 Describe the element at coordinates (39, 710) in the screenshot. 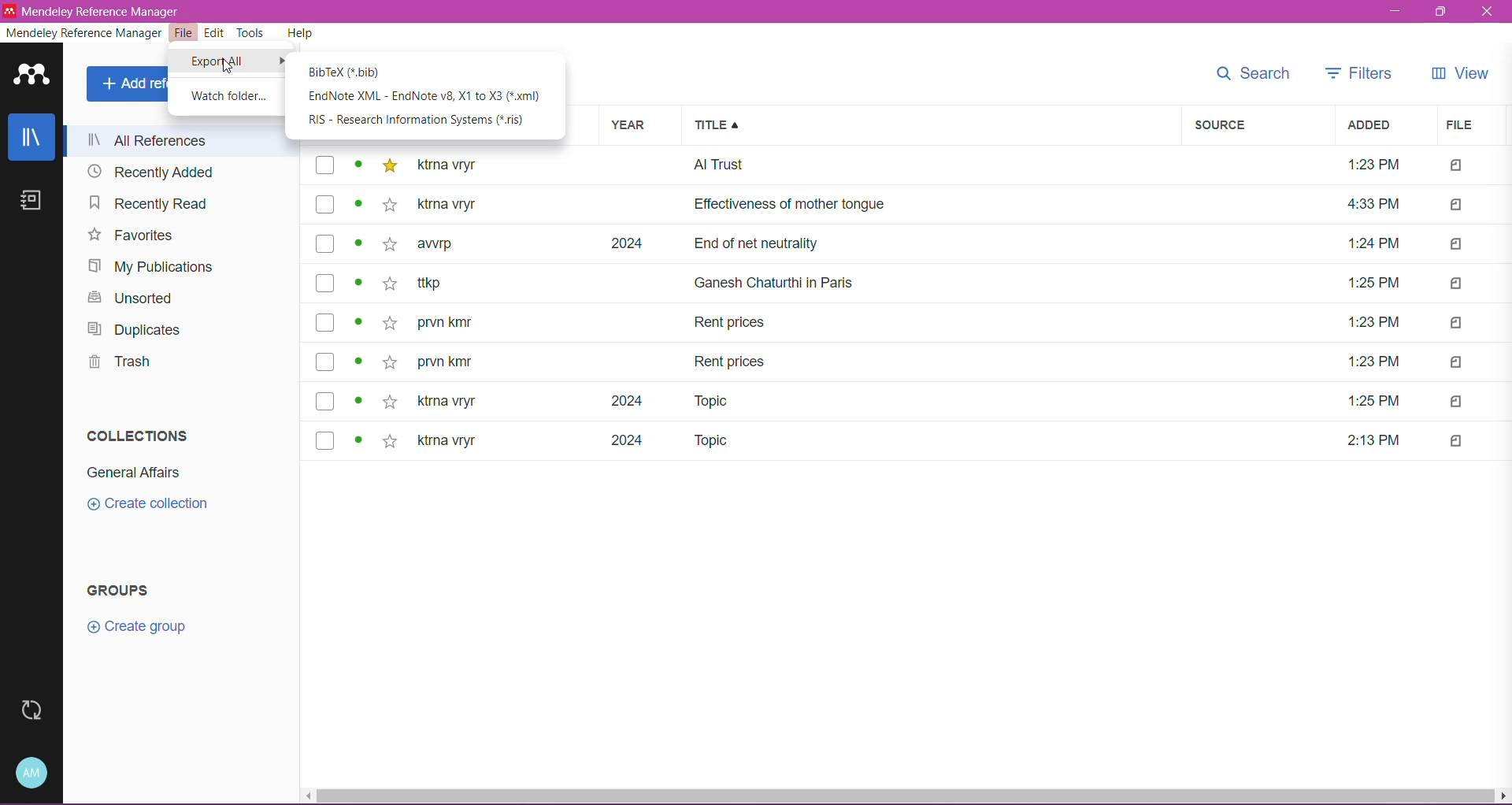

I see `Last Sync` at that location.